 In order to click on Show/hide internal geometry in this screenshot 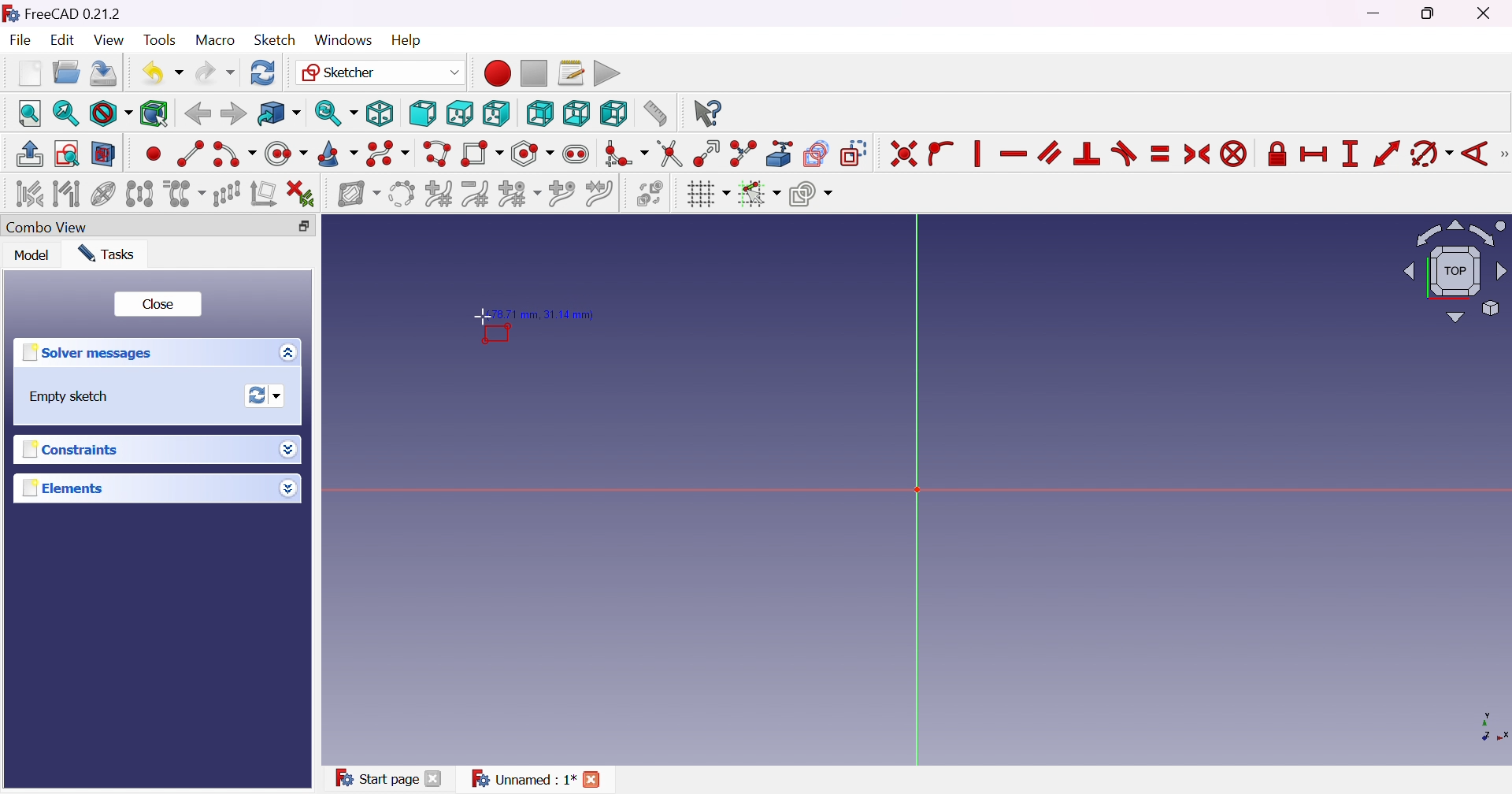, I will do `click(105, 194)`.